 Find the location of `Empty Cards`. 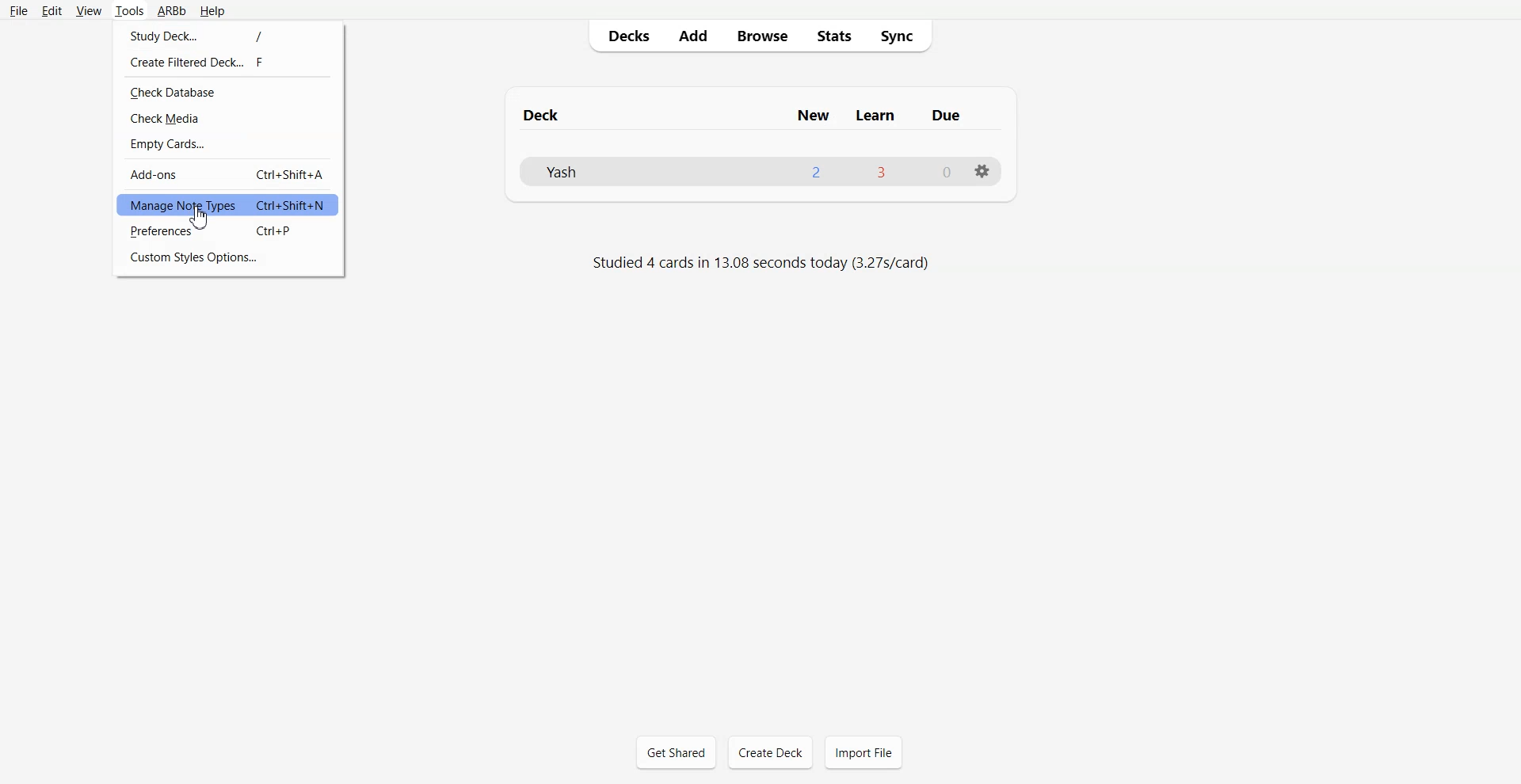

Empty Cards is located at coordinates (229, 143).